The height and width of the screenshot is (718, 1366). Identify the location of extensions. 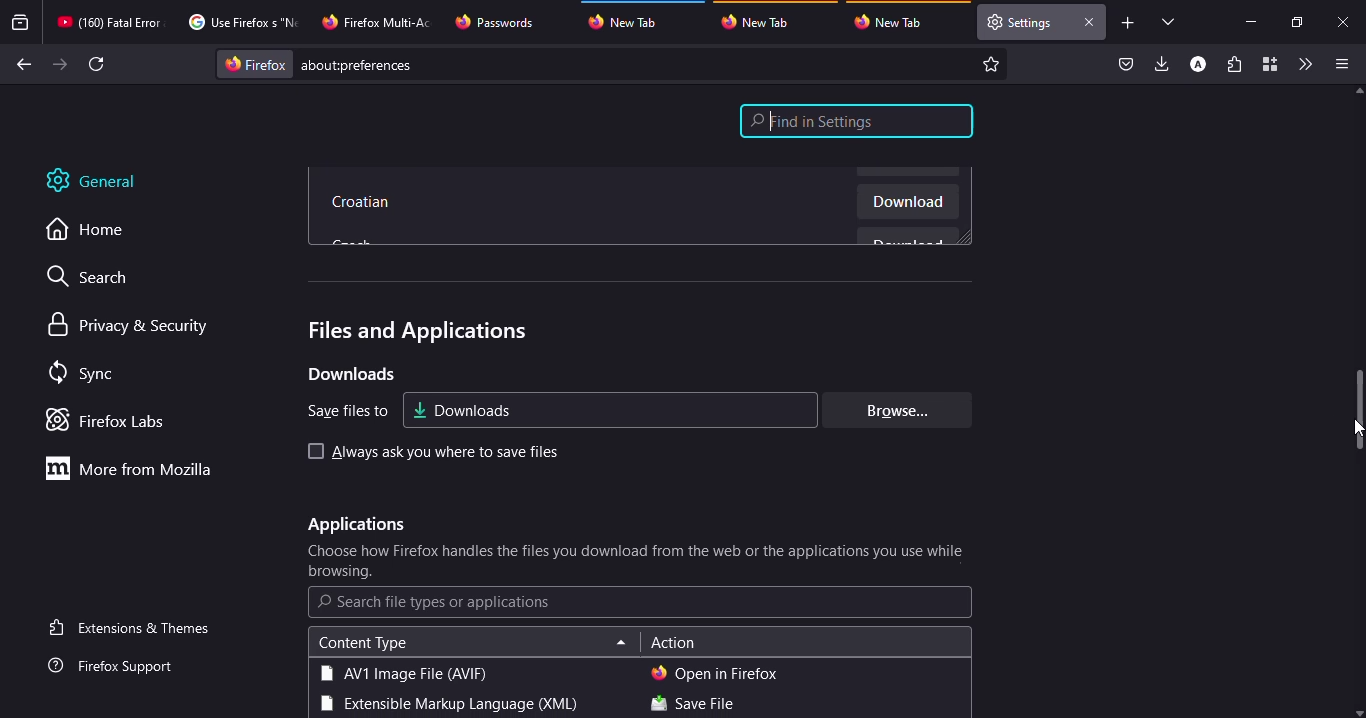
(1234, 66).